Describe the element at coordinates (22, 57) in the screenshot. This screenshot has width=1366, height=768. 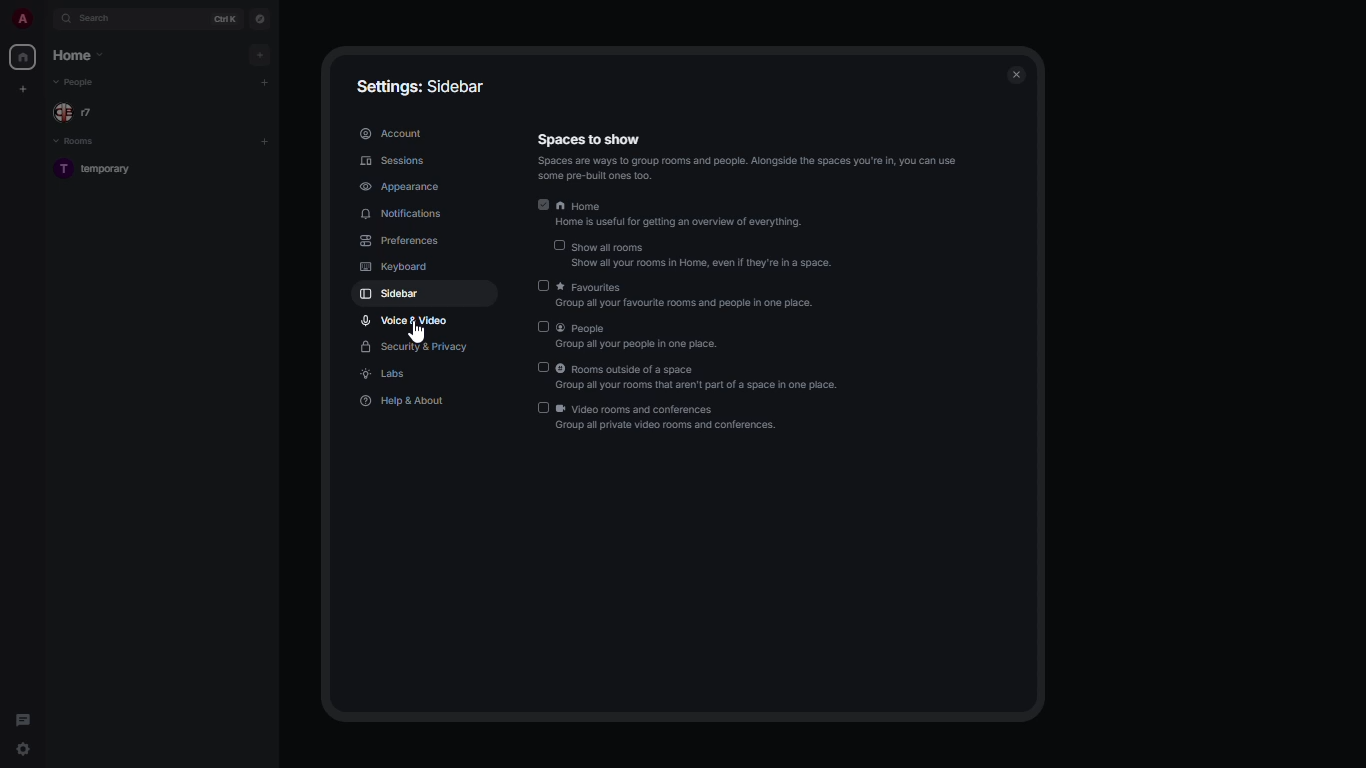
I see `home` at that location.